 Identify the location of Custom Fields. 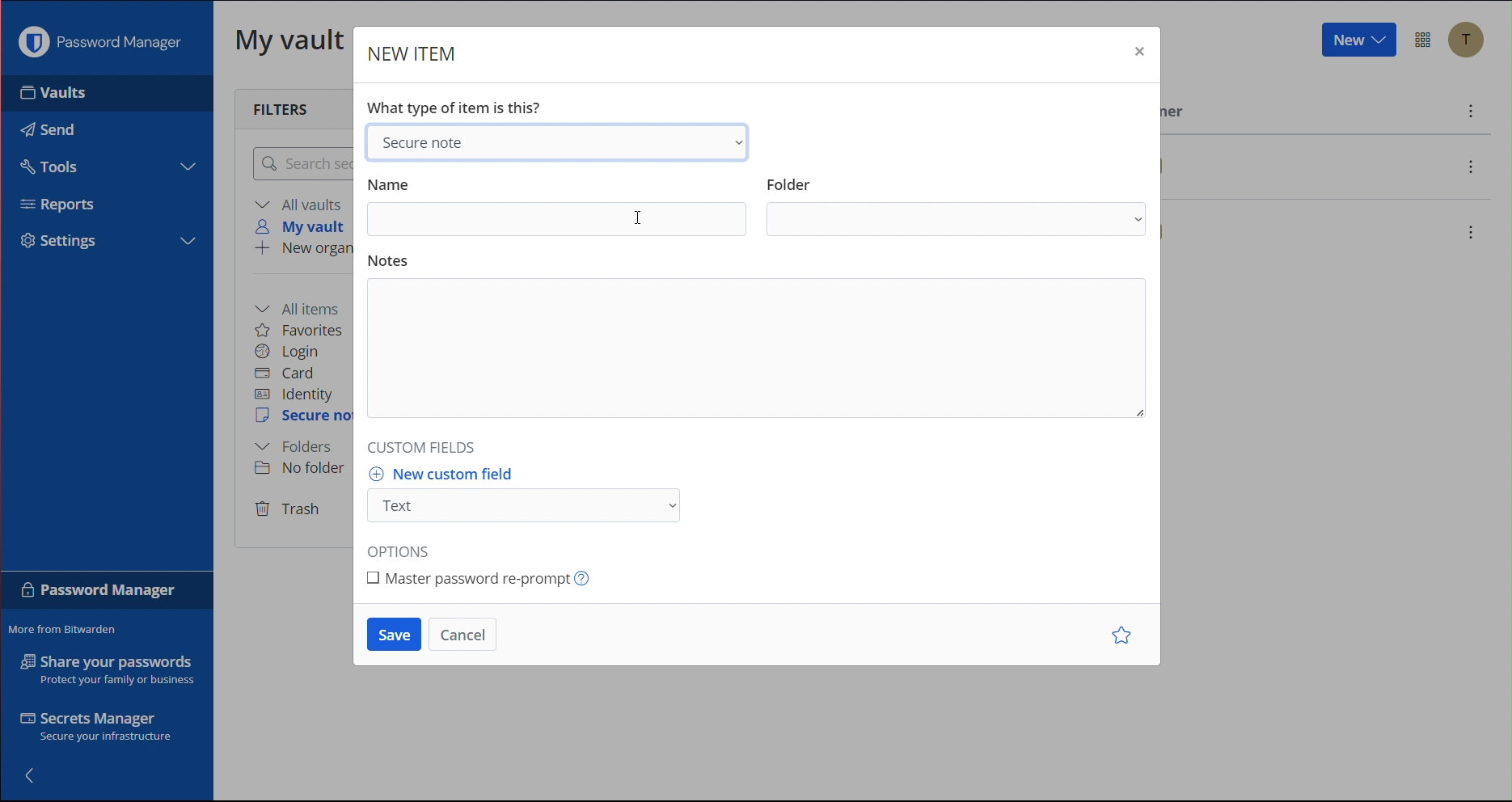
(424, 445).